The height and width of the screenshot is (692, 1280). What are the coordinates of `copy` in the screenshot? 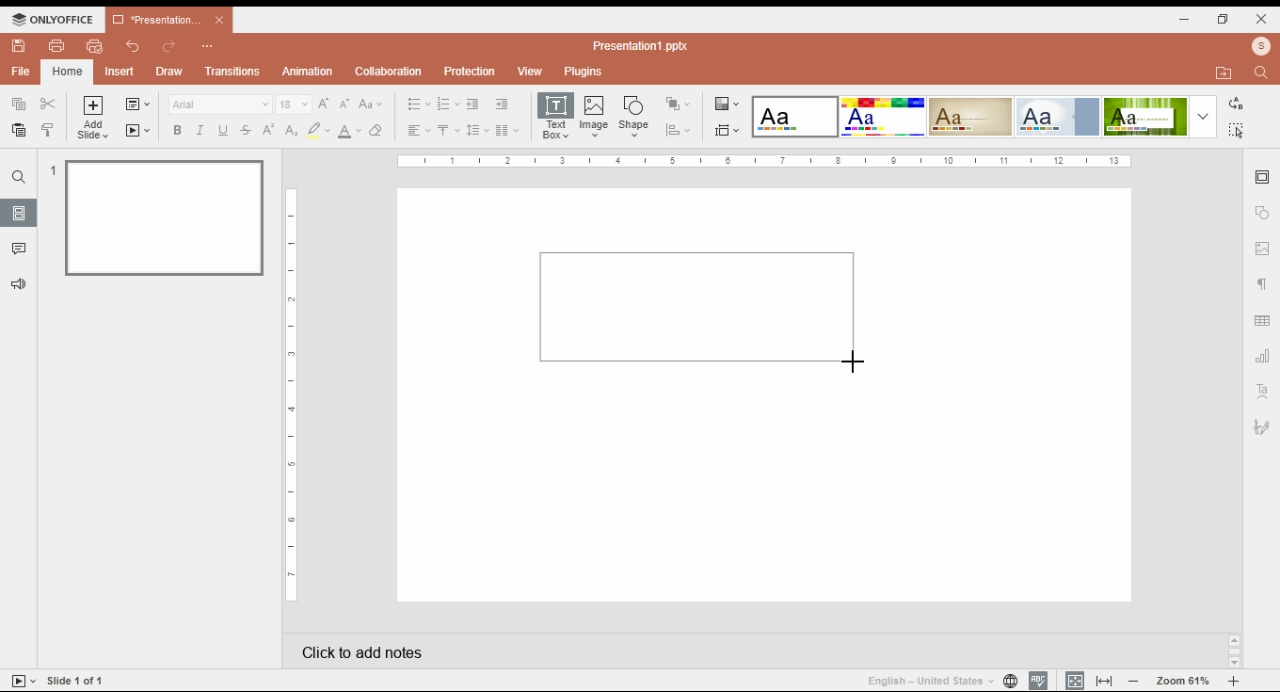 It's located at (20, 104).